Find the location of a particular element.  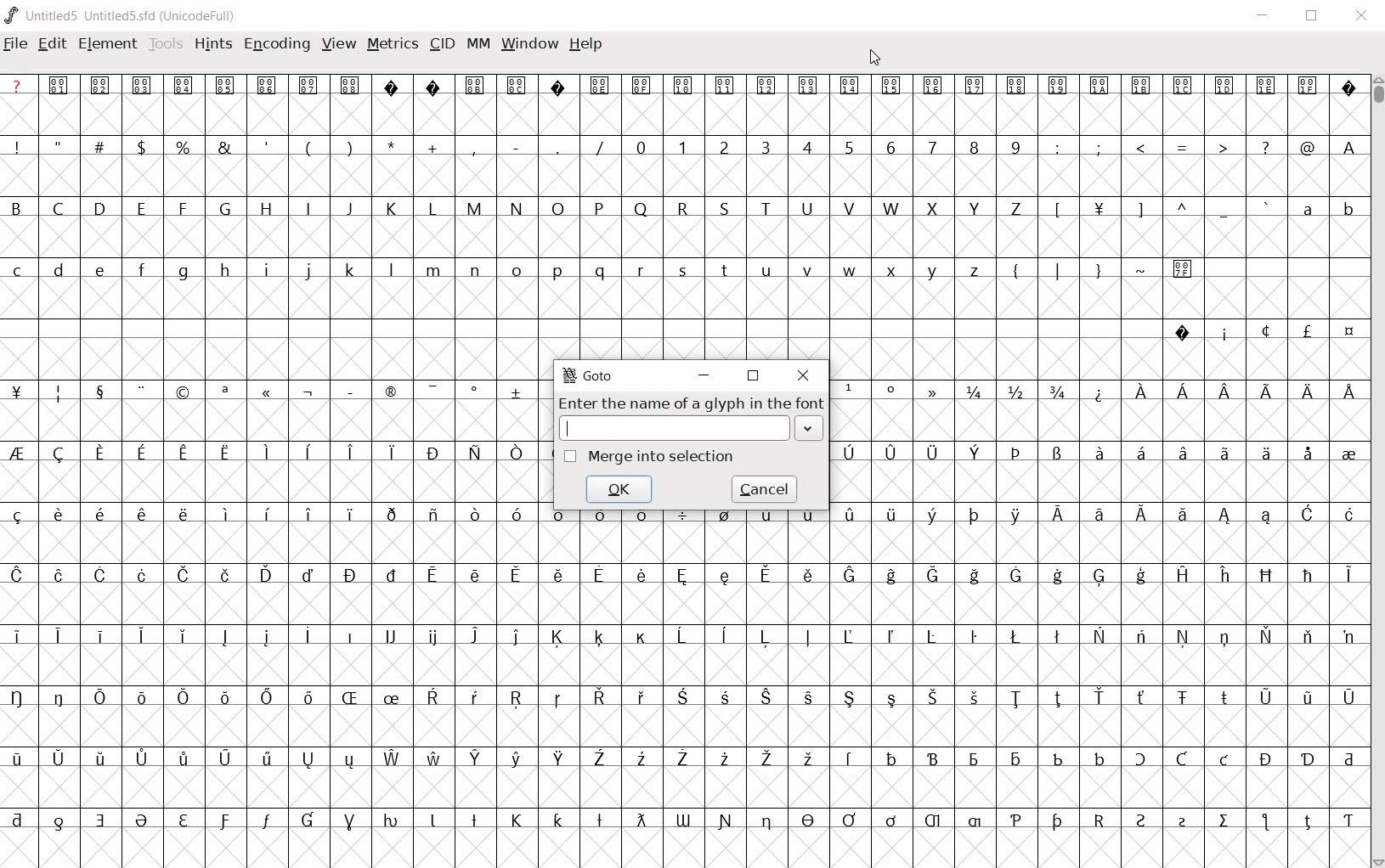

Symbol is located at coordinates (682, 759).